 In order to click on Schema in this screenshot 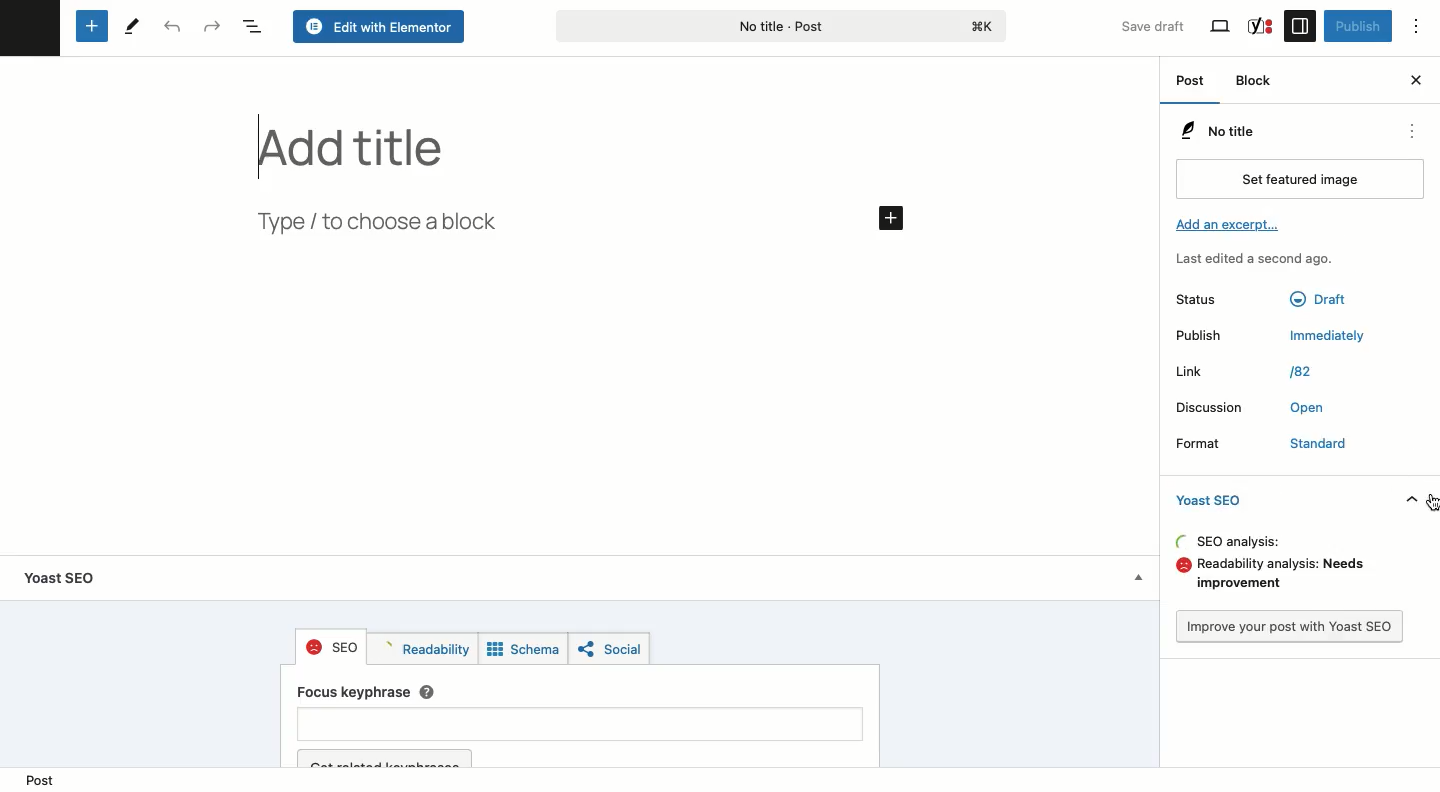, I will do `click(523, 651)`.